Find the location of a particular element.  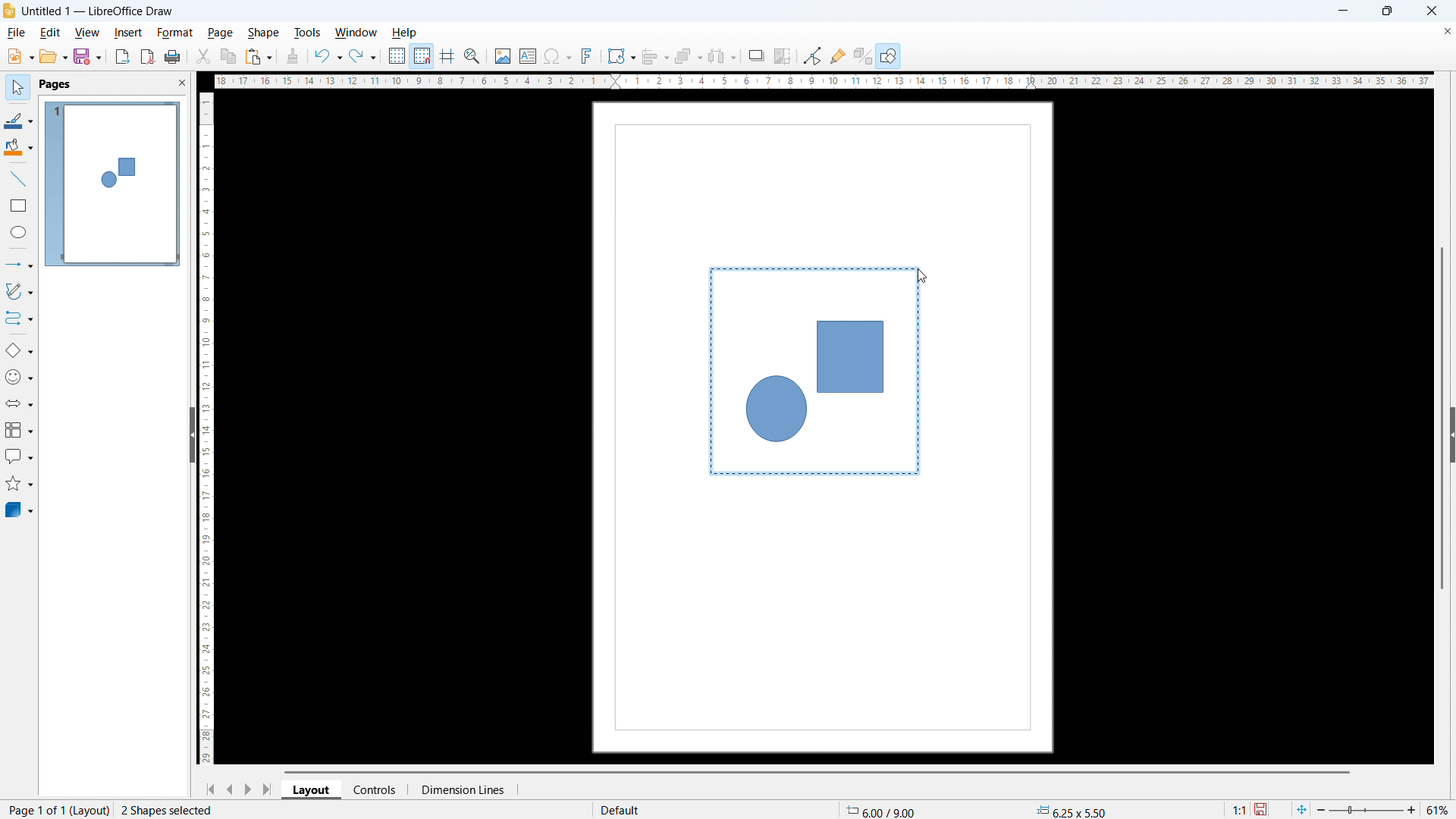

close is located at coordinates (1432, 11).